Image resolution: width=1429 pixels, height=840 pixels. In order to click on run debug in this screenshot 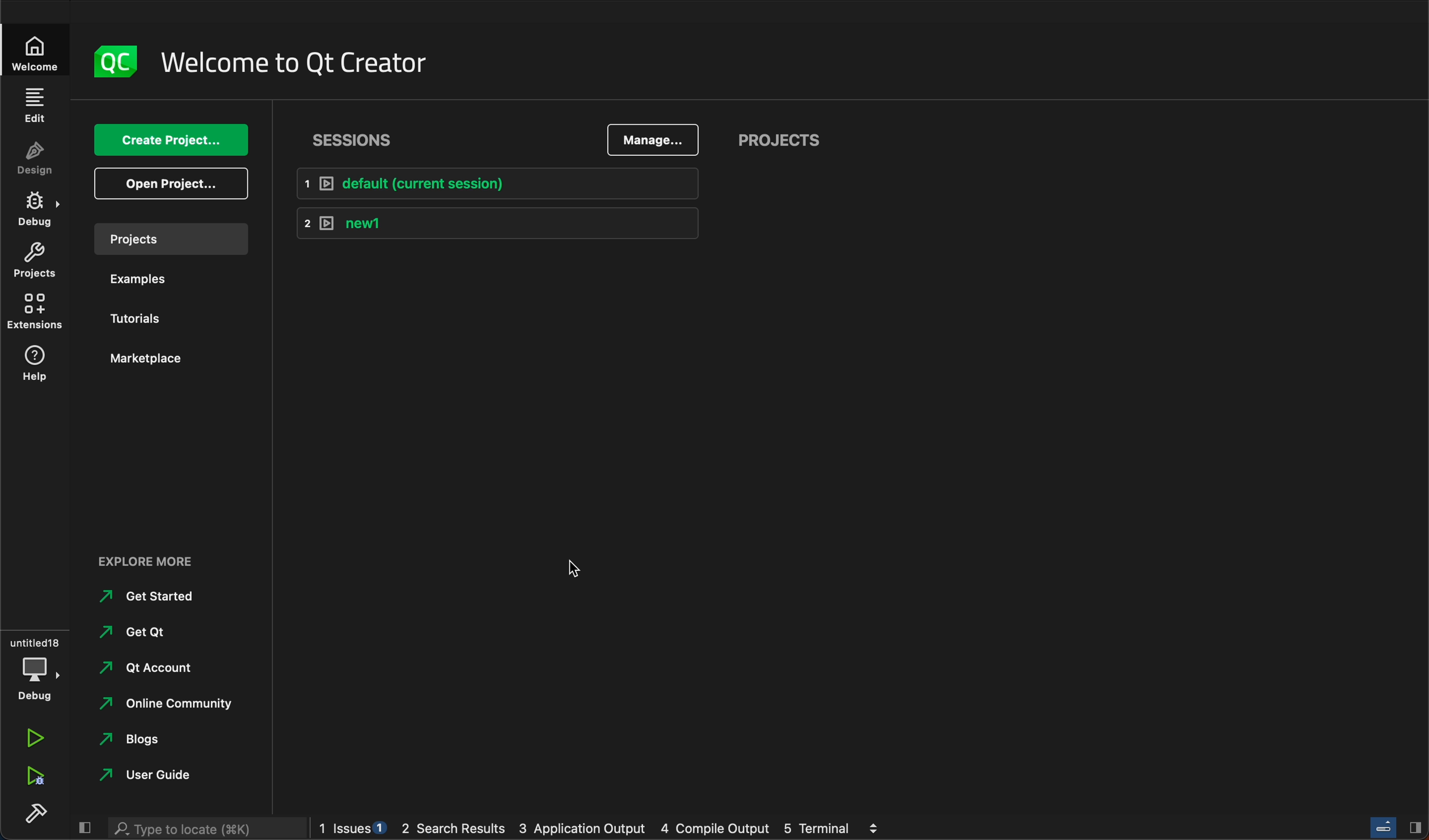, I will do `click(32, 778)`.